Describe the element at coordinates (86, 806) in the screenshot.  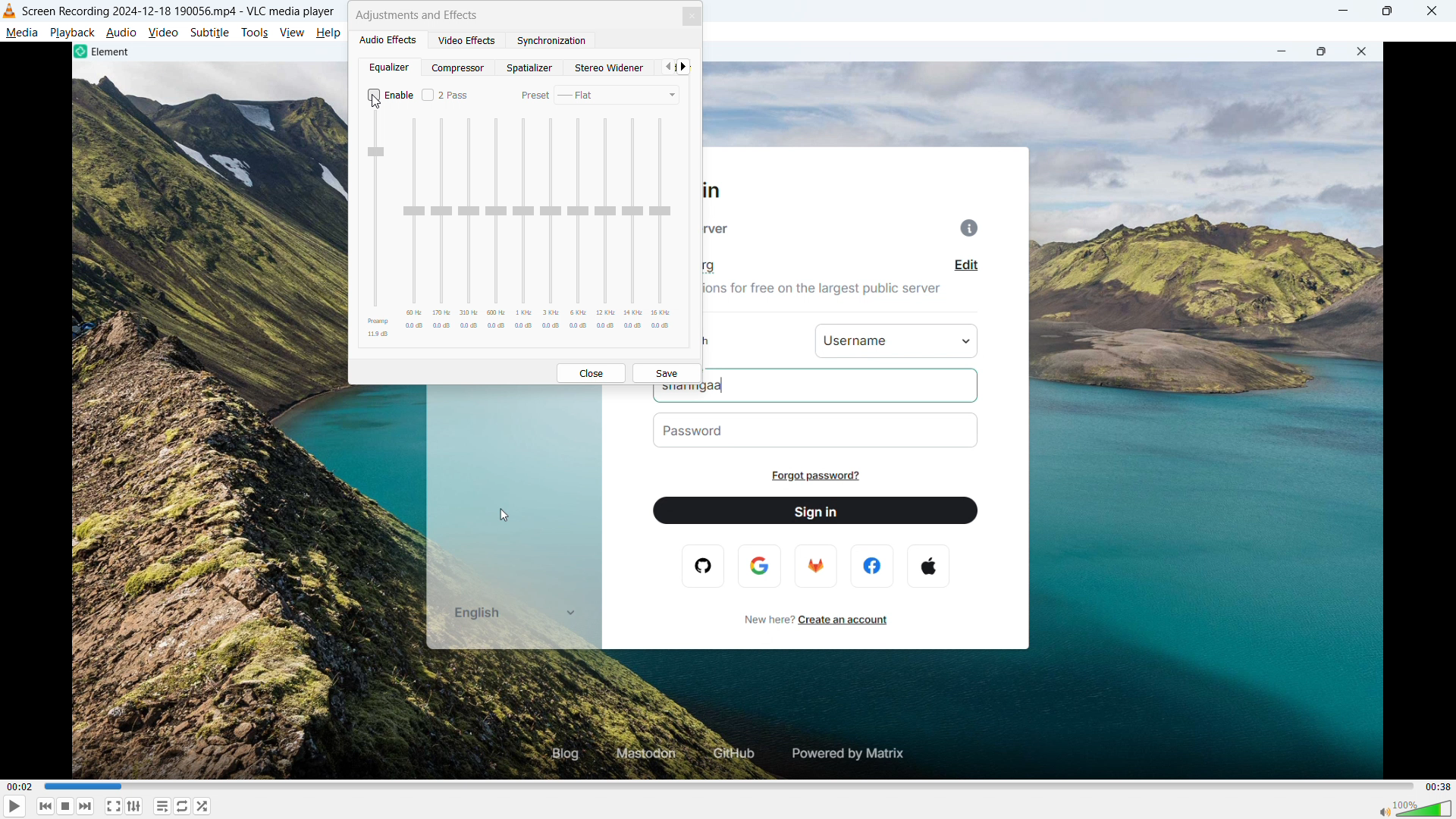
I see `Forward or next media ` at that location.